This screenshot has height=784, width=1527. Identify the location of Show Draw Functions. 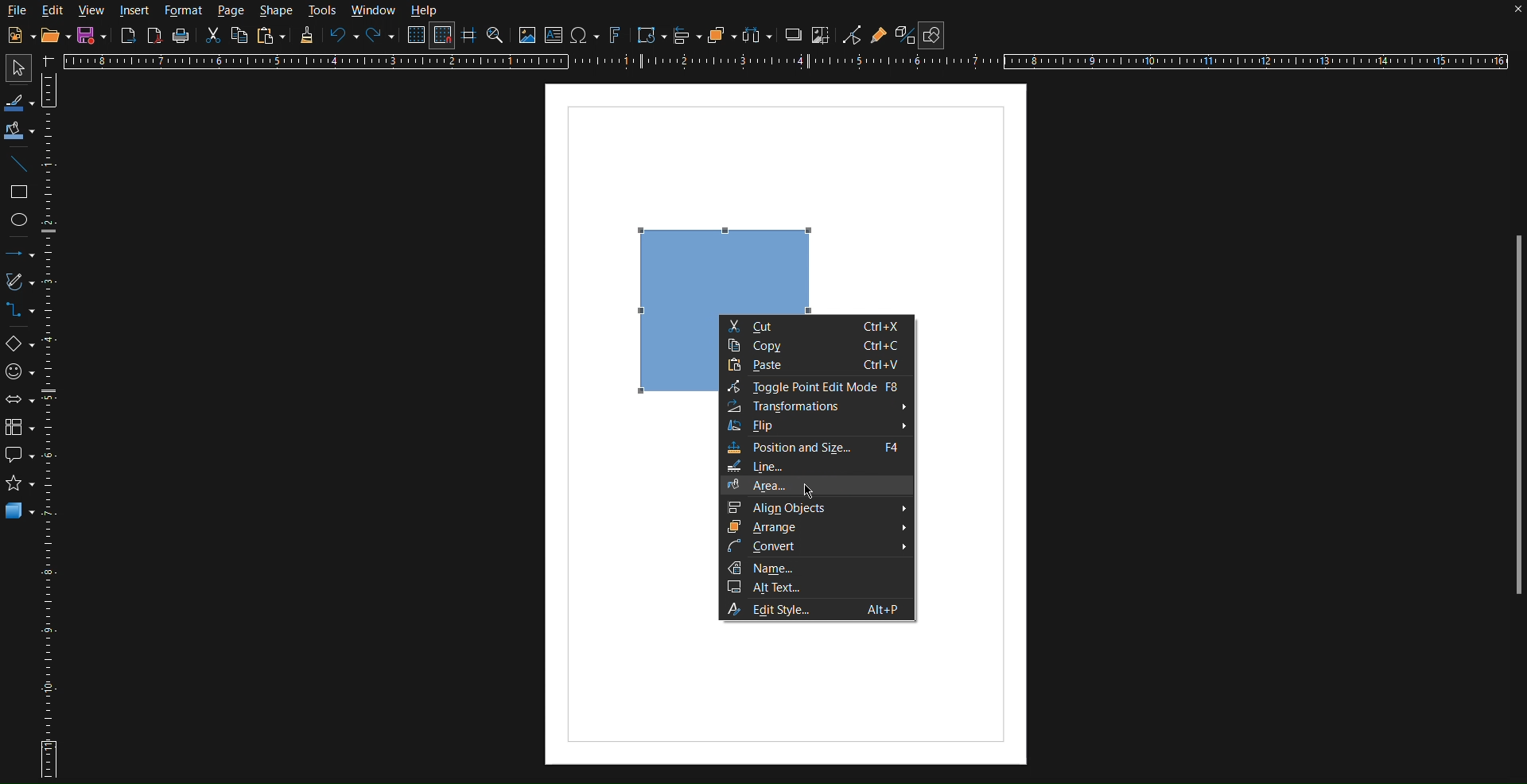
(934, 32).